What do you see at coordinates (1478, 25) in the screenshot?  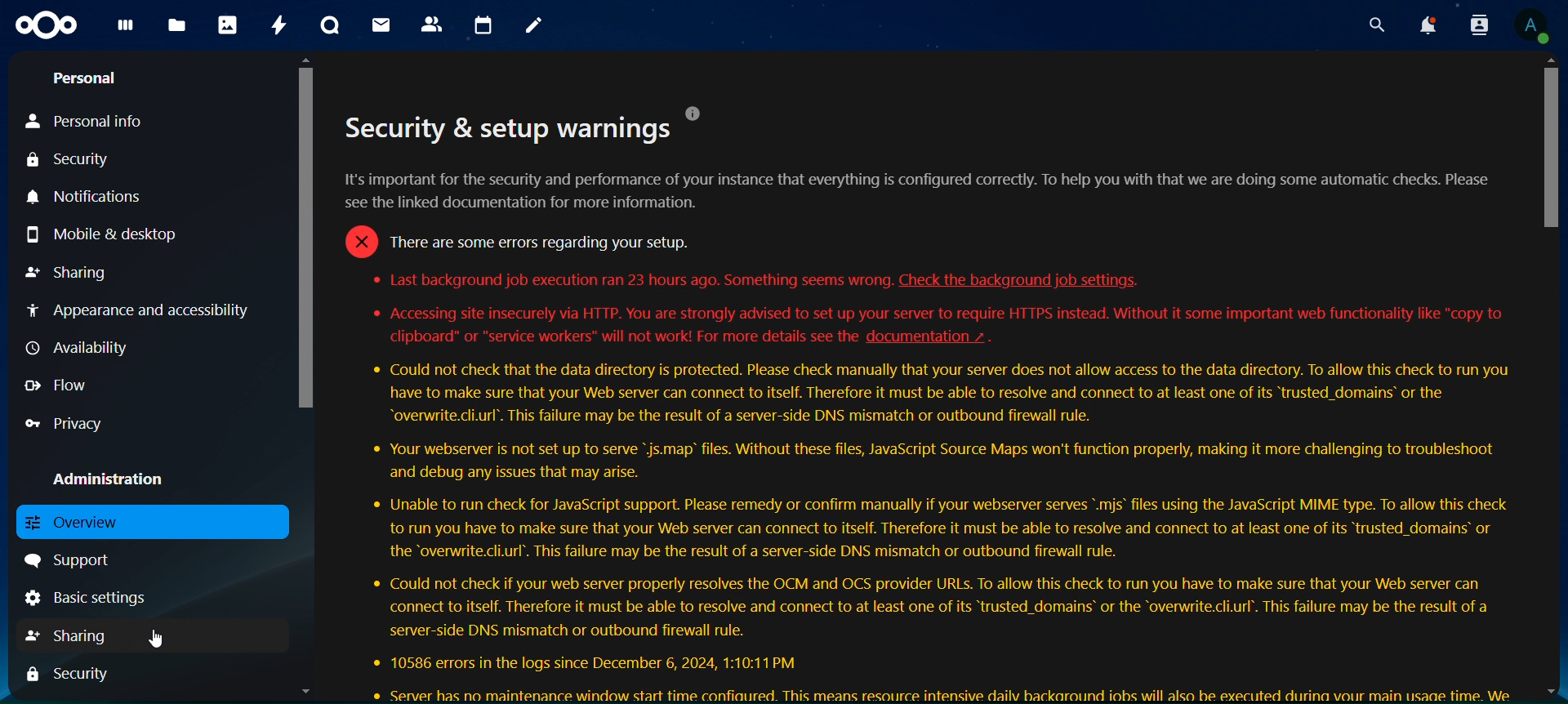 I see `search contacts` at bounding box center [1478, 25].